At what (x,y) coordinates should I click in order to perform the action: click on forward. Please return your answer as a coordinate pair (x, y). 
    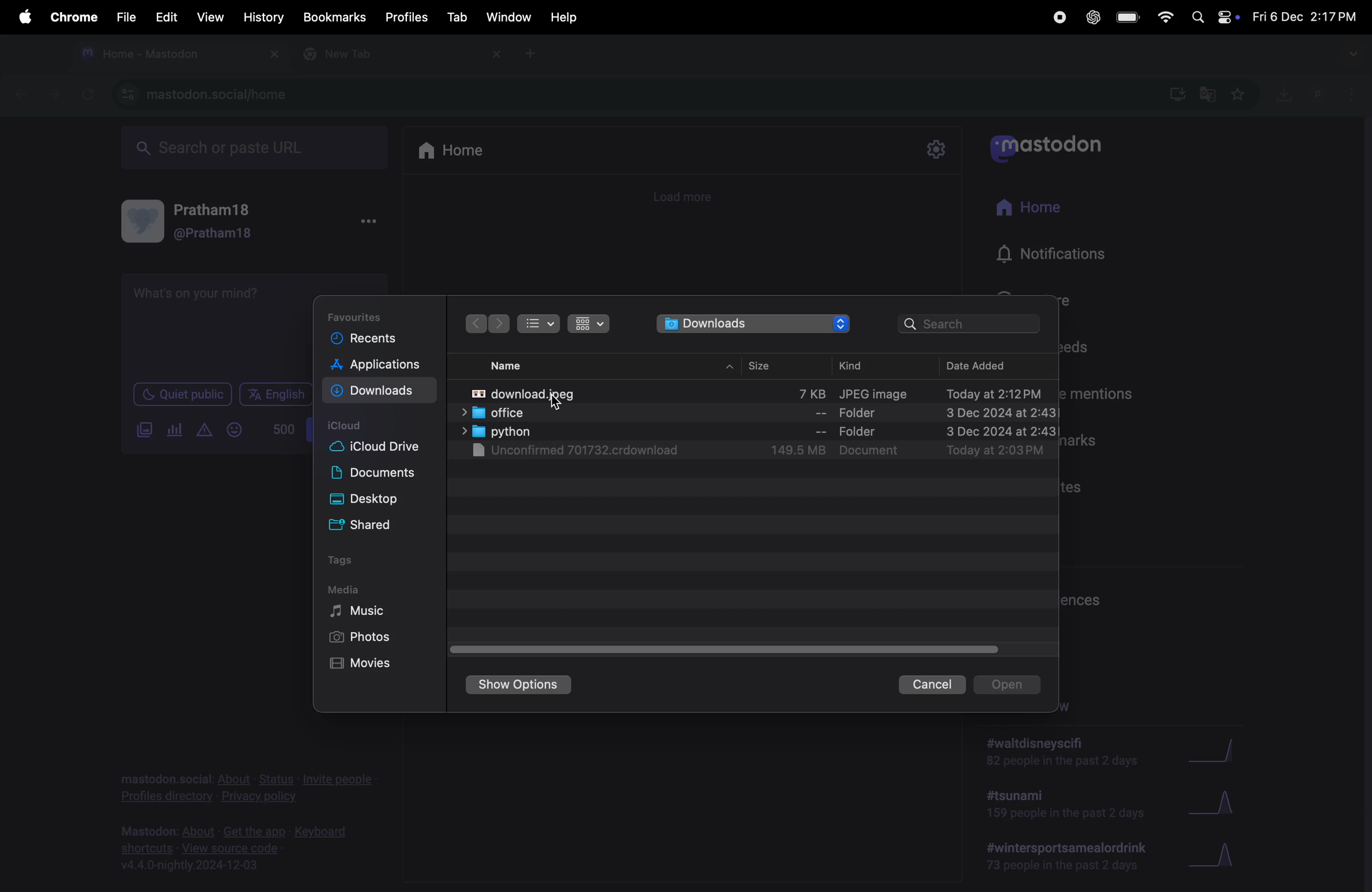
    Looking at the image, I should click on (54, 94).